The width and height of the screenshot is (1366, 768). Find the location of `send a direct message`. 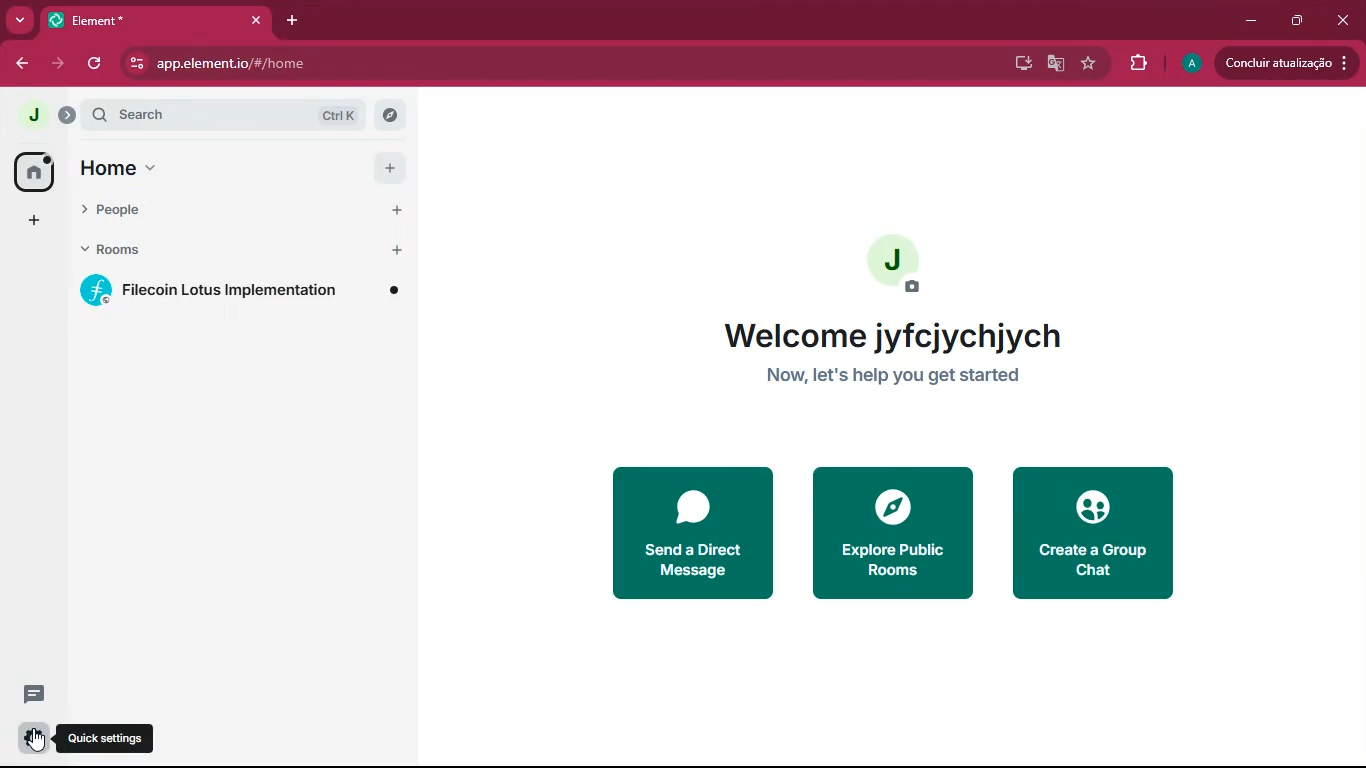

send a direct message is located at coordinates (690, 530).